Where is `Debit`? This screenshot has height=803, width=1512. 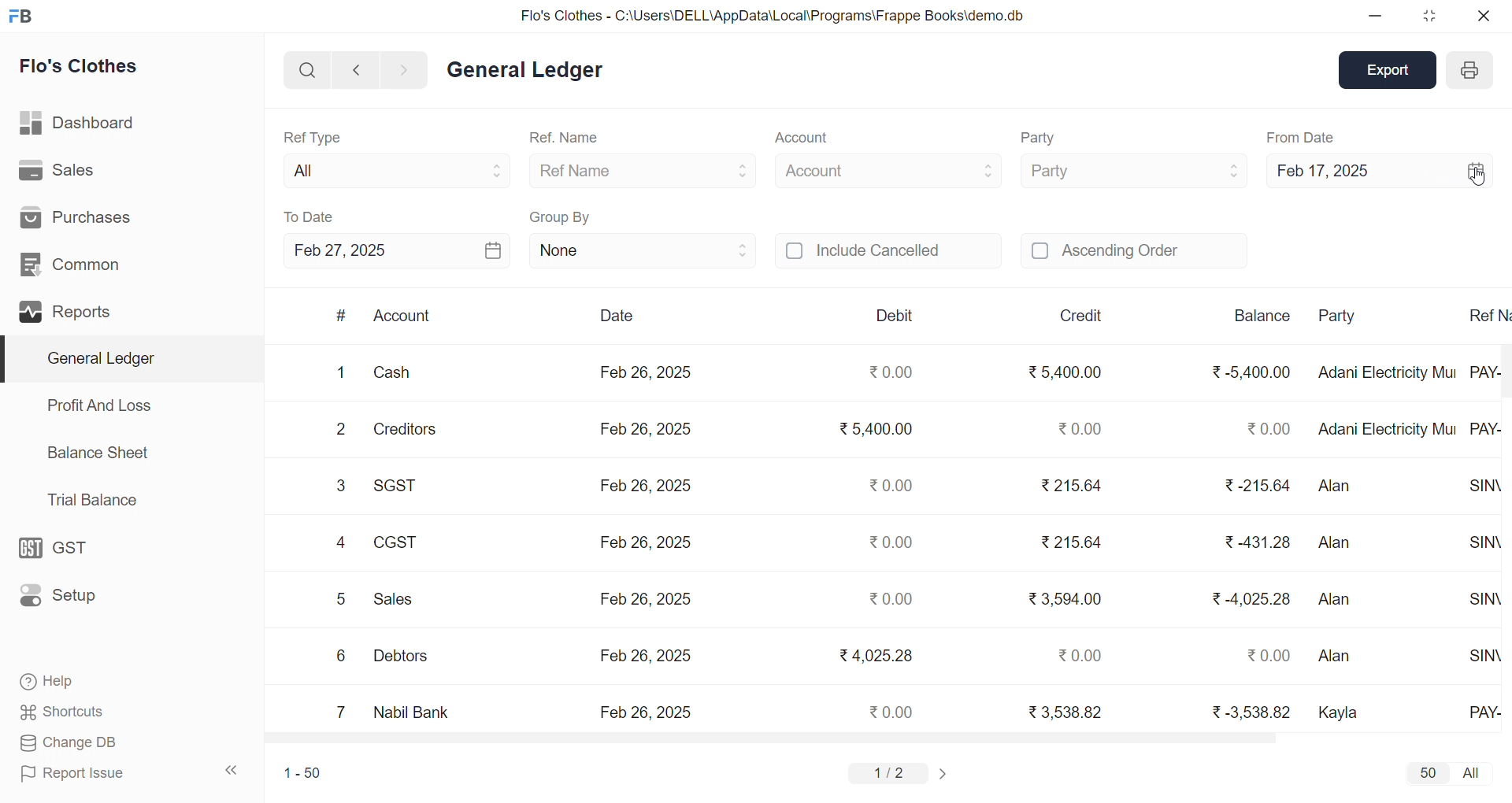 Debit is located at coordinates (895, 315).